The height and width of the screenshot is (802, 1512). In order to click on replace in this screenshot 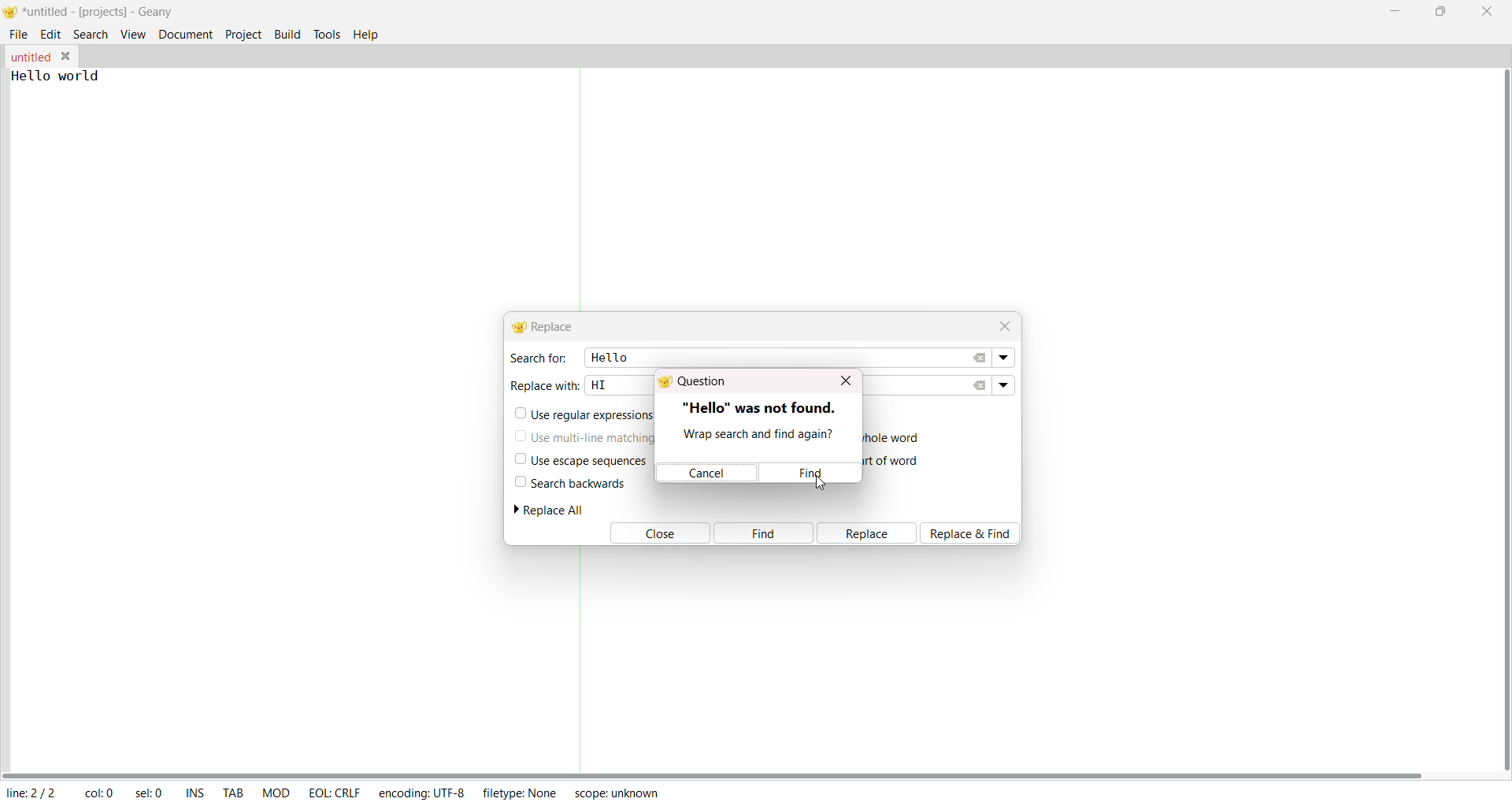, I will do `click(547, 327)`.